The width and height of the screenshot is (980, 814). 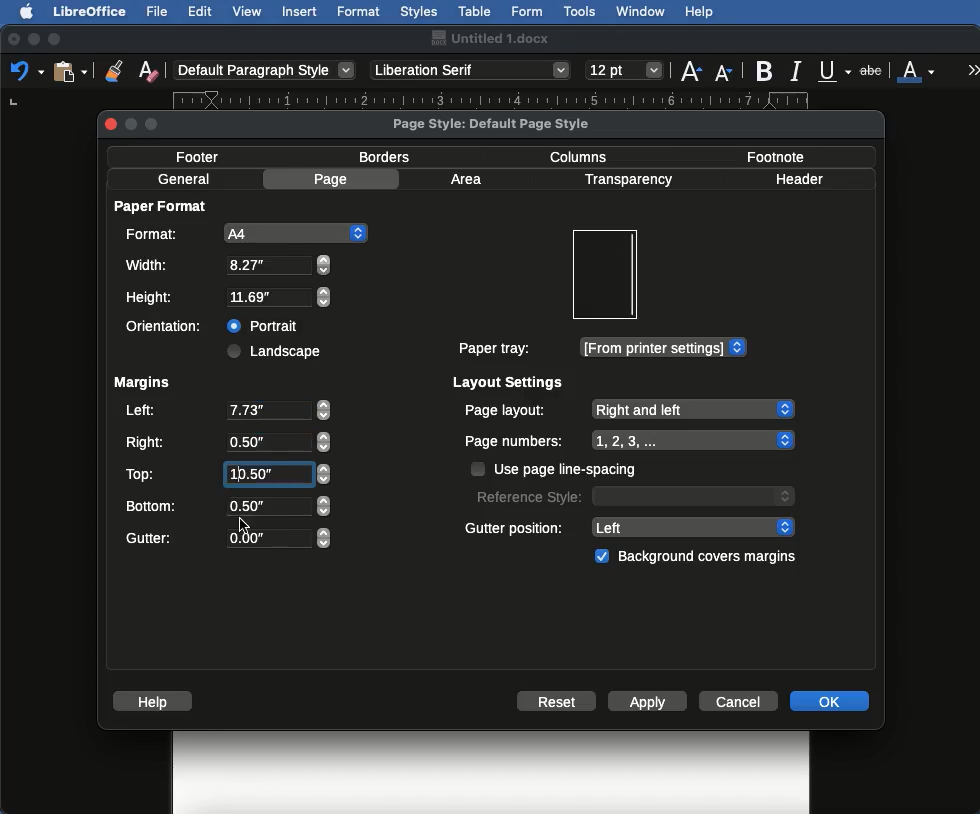 What do you see at coordinates (360, 12) in the screenshot?
I see `Format` at bounding box center [360, 12].